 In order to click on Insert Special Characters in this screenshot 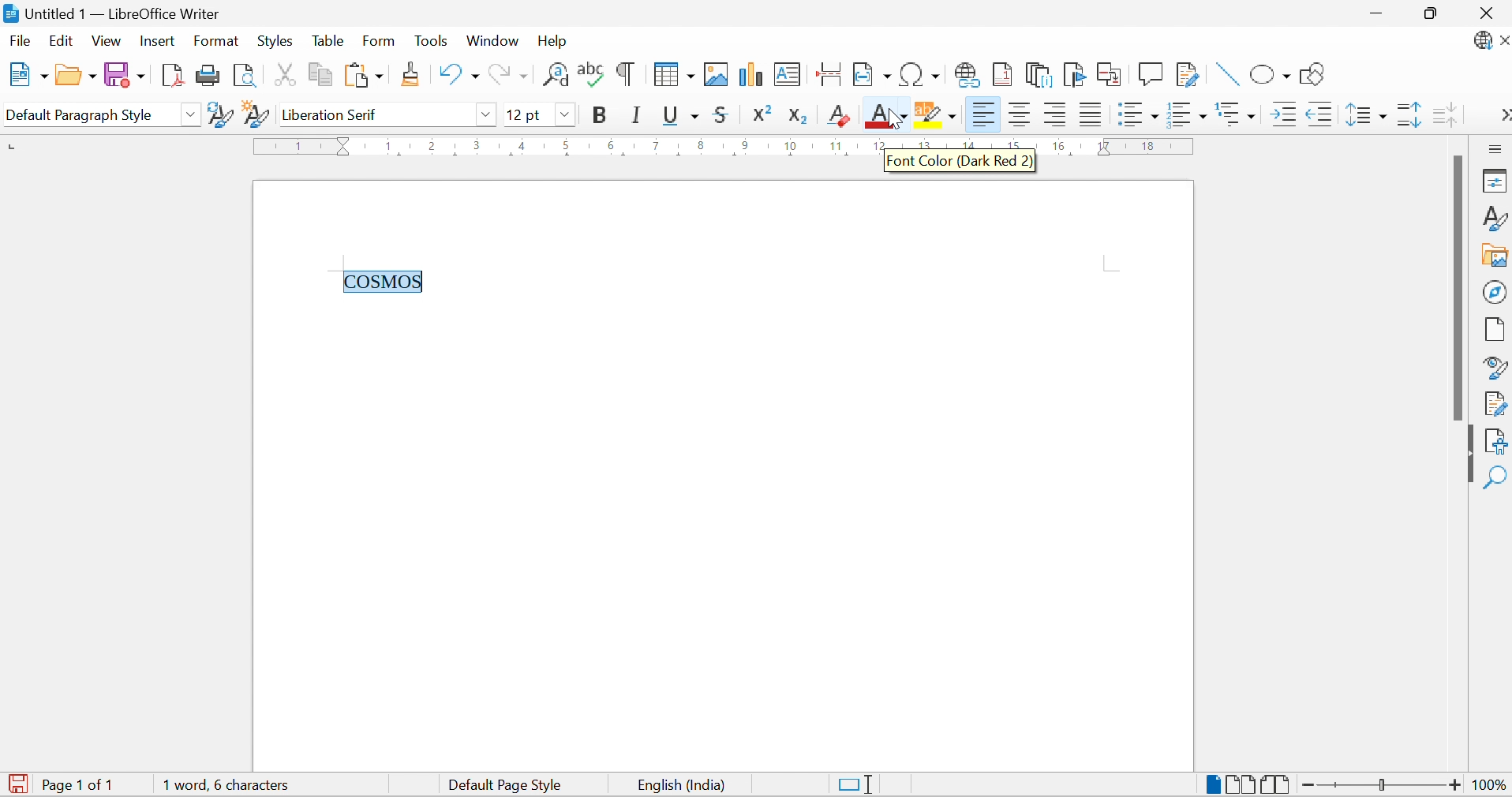, I will do `click(920, 74)`.